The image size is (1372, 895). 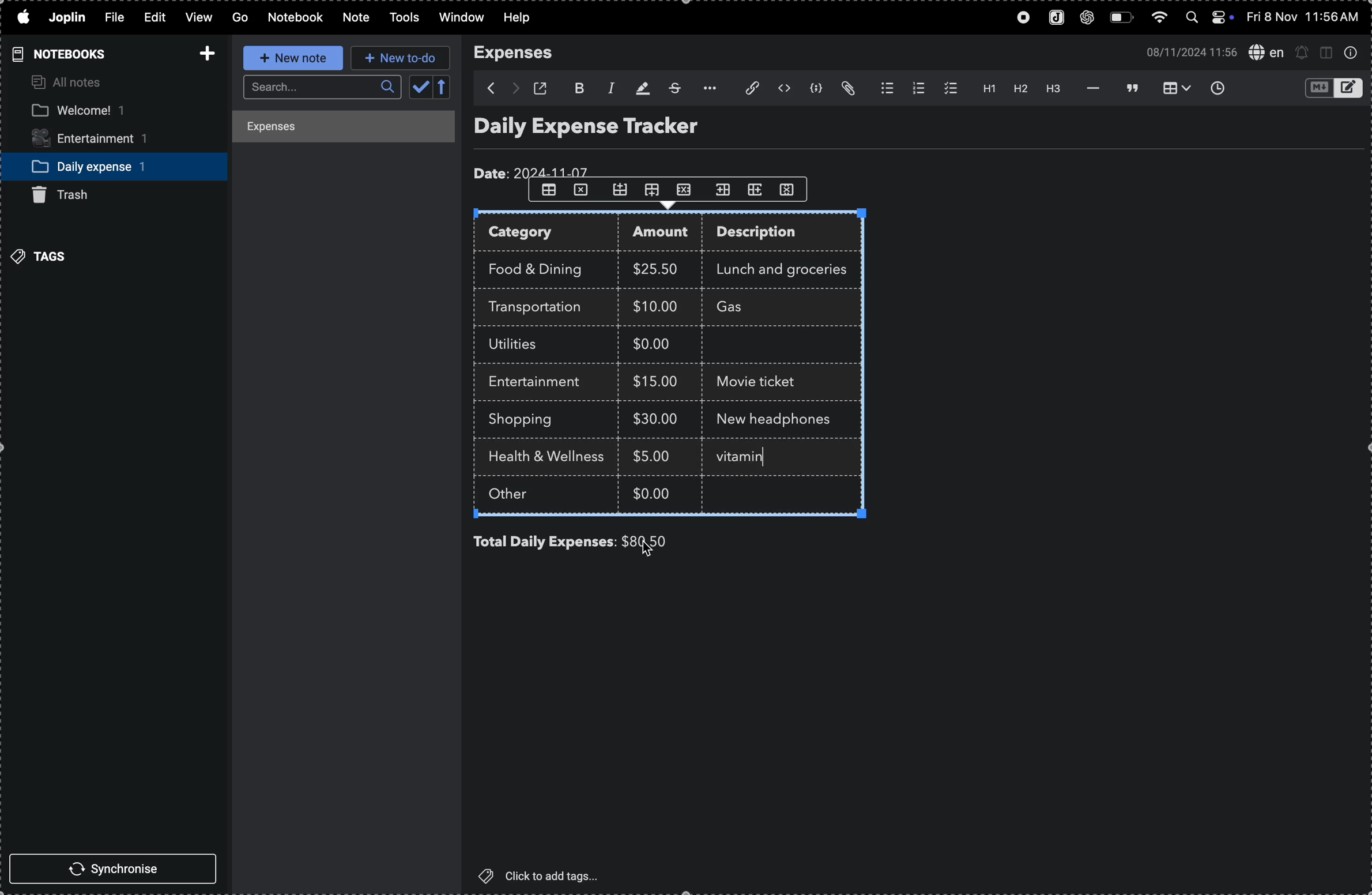 What do you see at coordinates (1129, 88) in the screenshot?
I see `blockquote` at bounding box center [1129, 88].